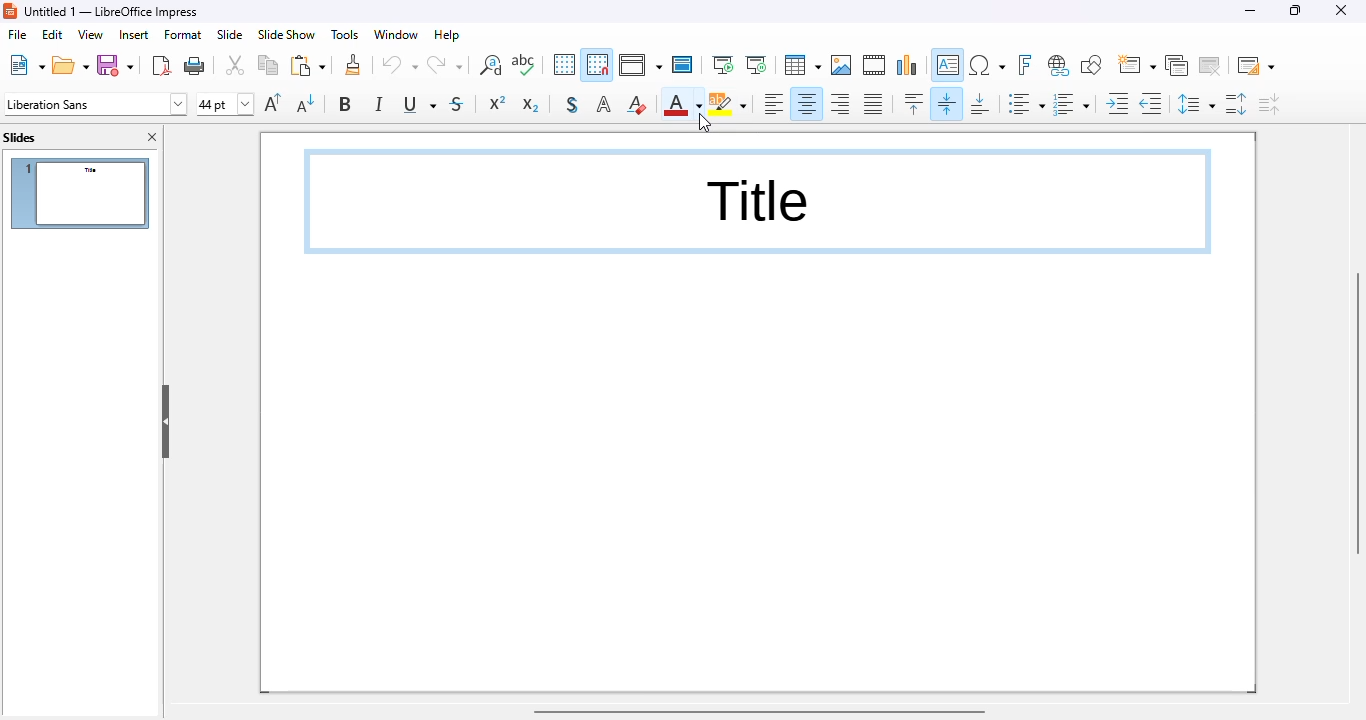 Image resolution: width=1366 pixels, height=720 pixels. I want to click on toggle ordered list, so click(1071, 104).